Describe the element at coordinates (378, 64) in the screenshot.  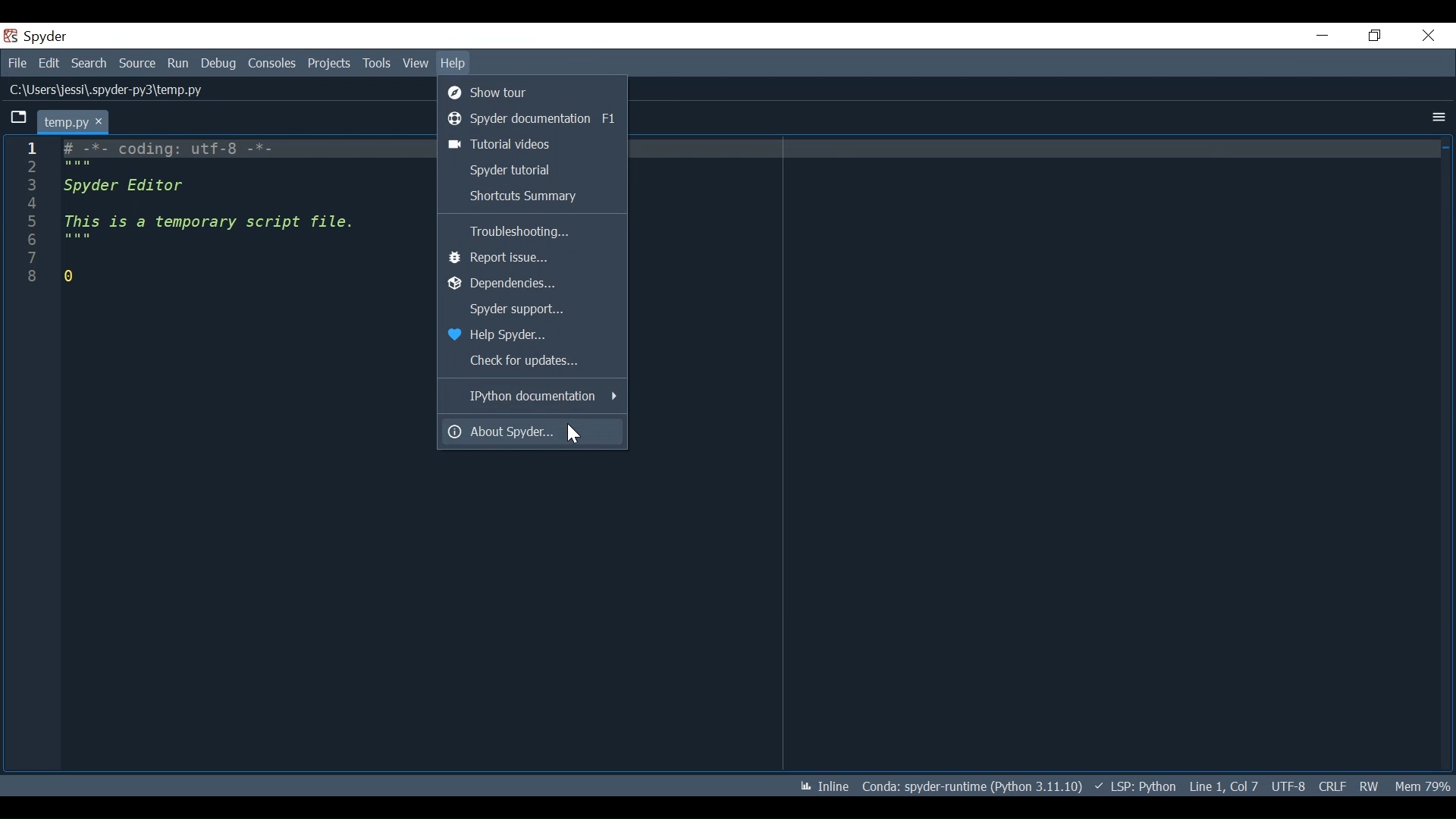
I see `Tools` at that location.